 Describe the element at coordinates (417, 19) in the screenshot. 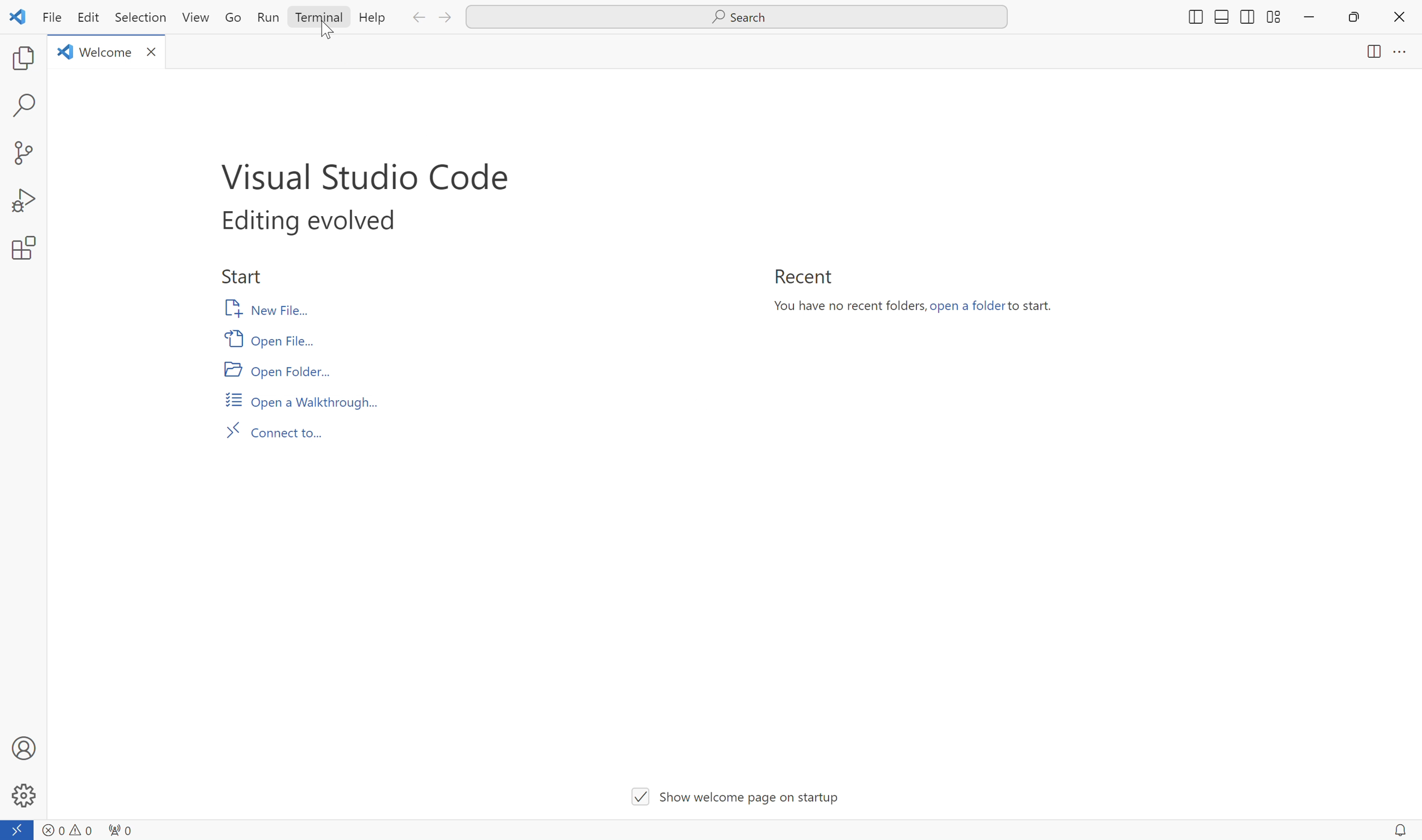

I see `back` at that location.